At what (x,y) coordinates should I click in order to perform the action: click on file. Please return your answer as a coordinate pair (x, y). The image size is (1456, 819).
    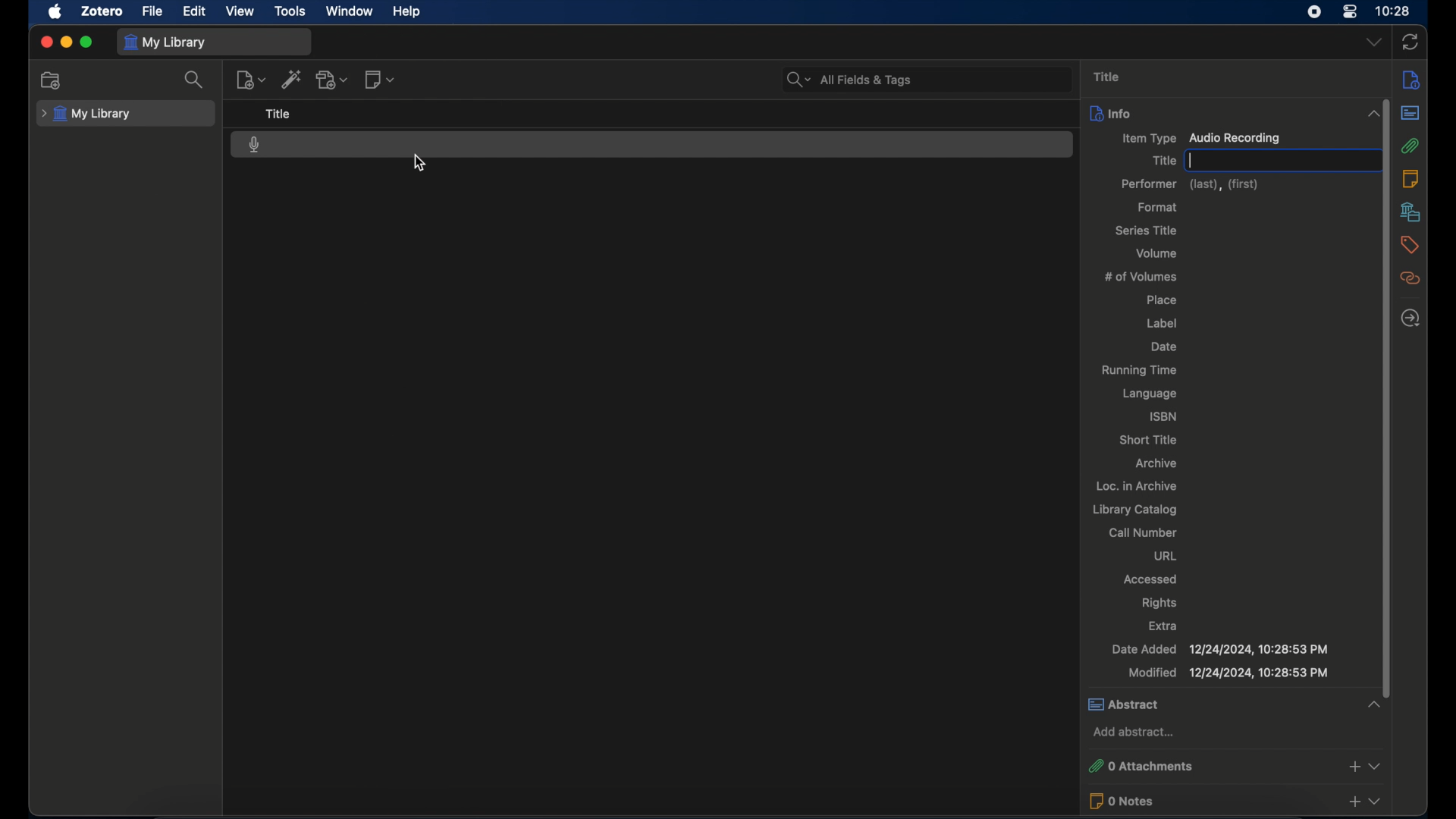
    Looking at the image, I should click on (152, 11).